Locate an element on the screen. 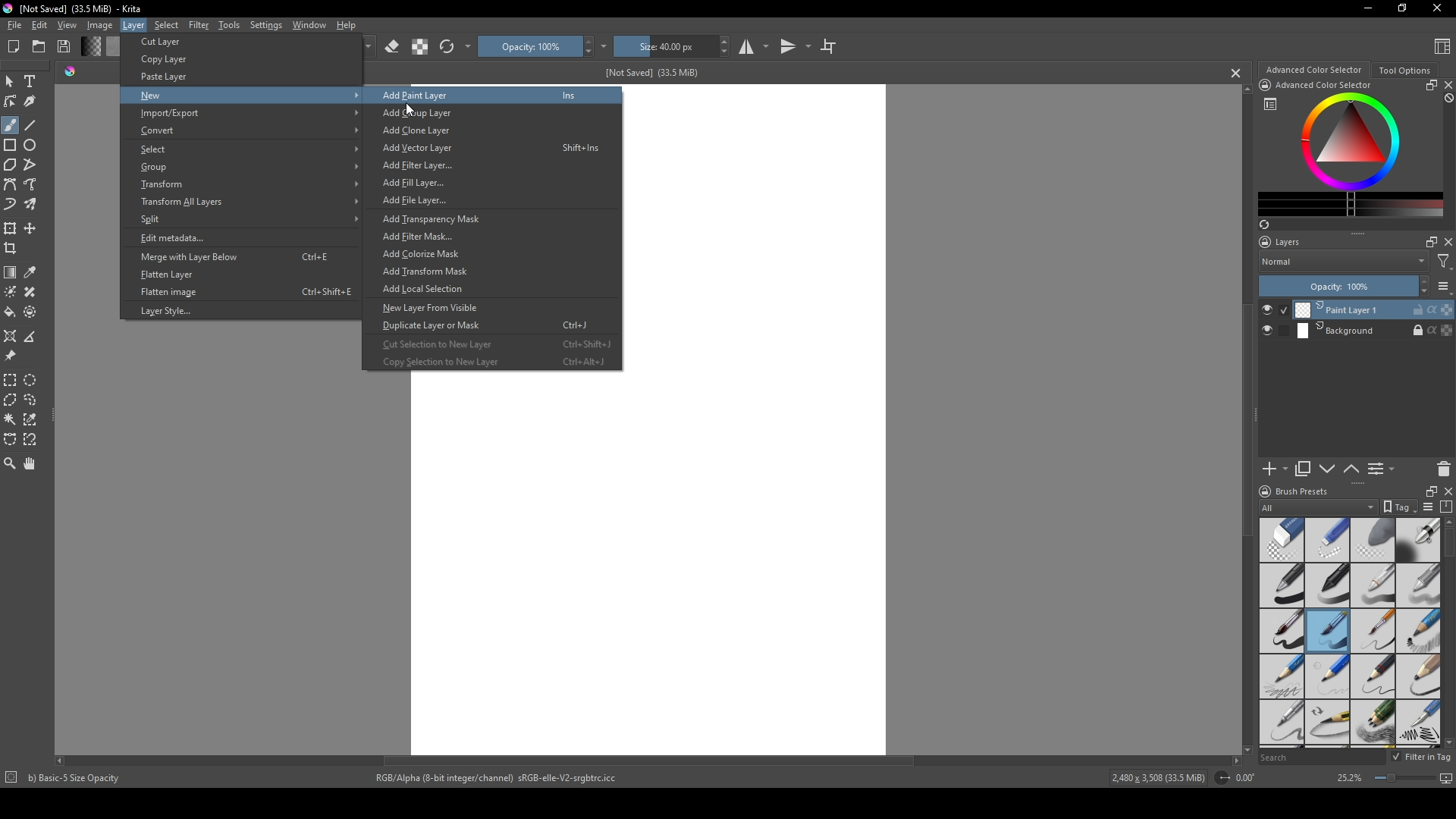 Image resolution: width=1456 pixels, height=819 pixels. elliptical is located at coordinates (33, 379).